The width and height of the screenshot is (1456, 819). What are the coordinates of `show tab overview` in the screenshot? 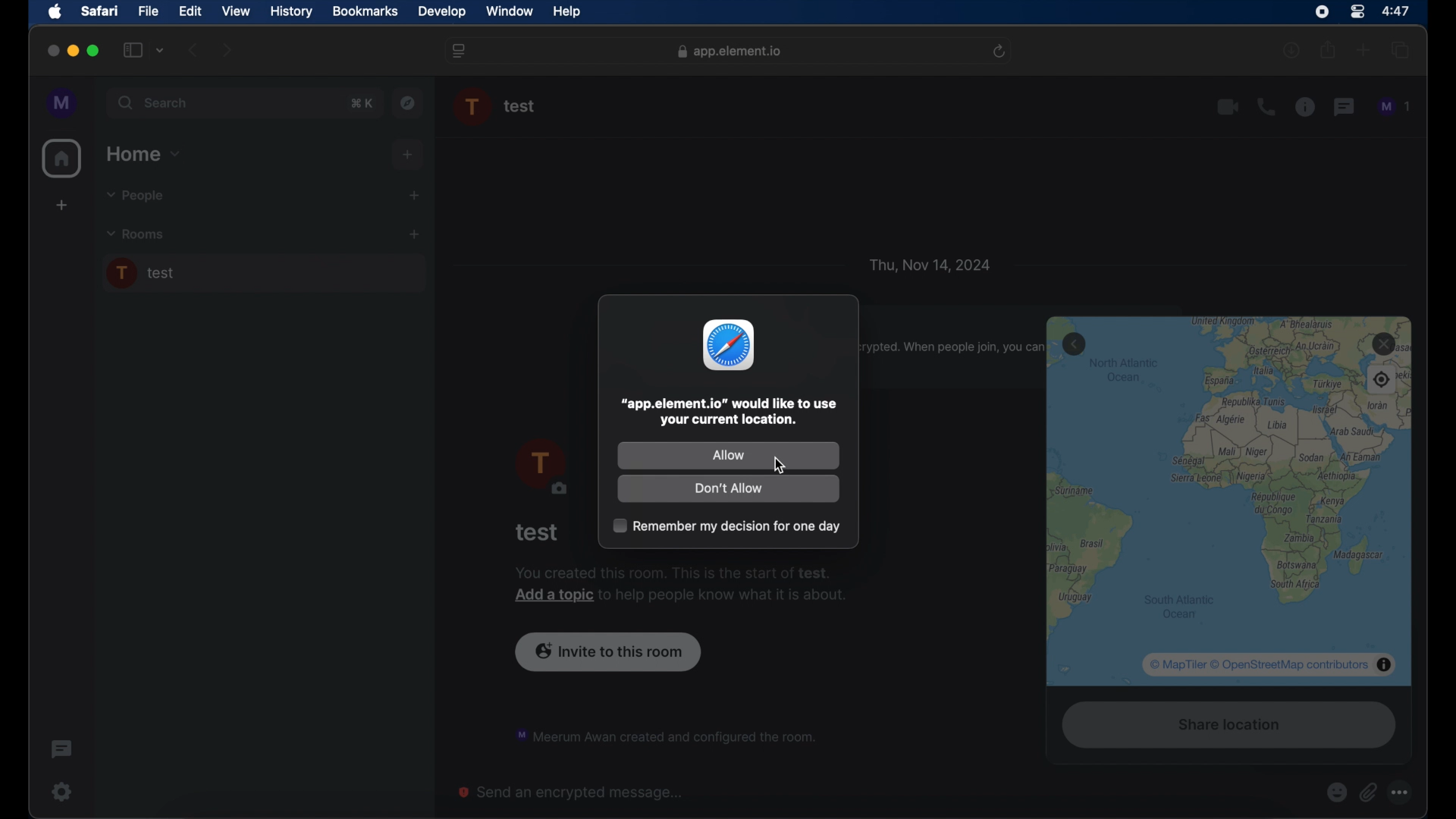 It's located at (1401, 51).